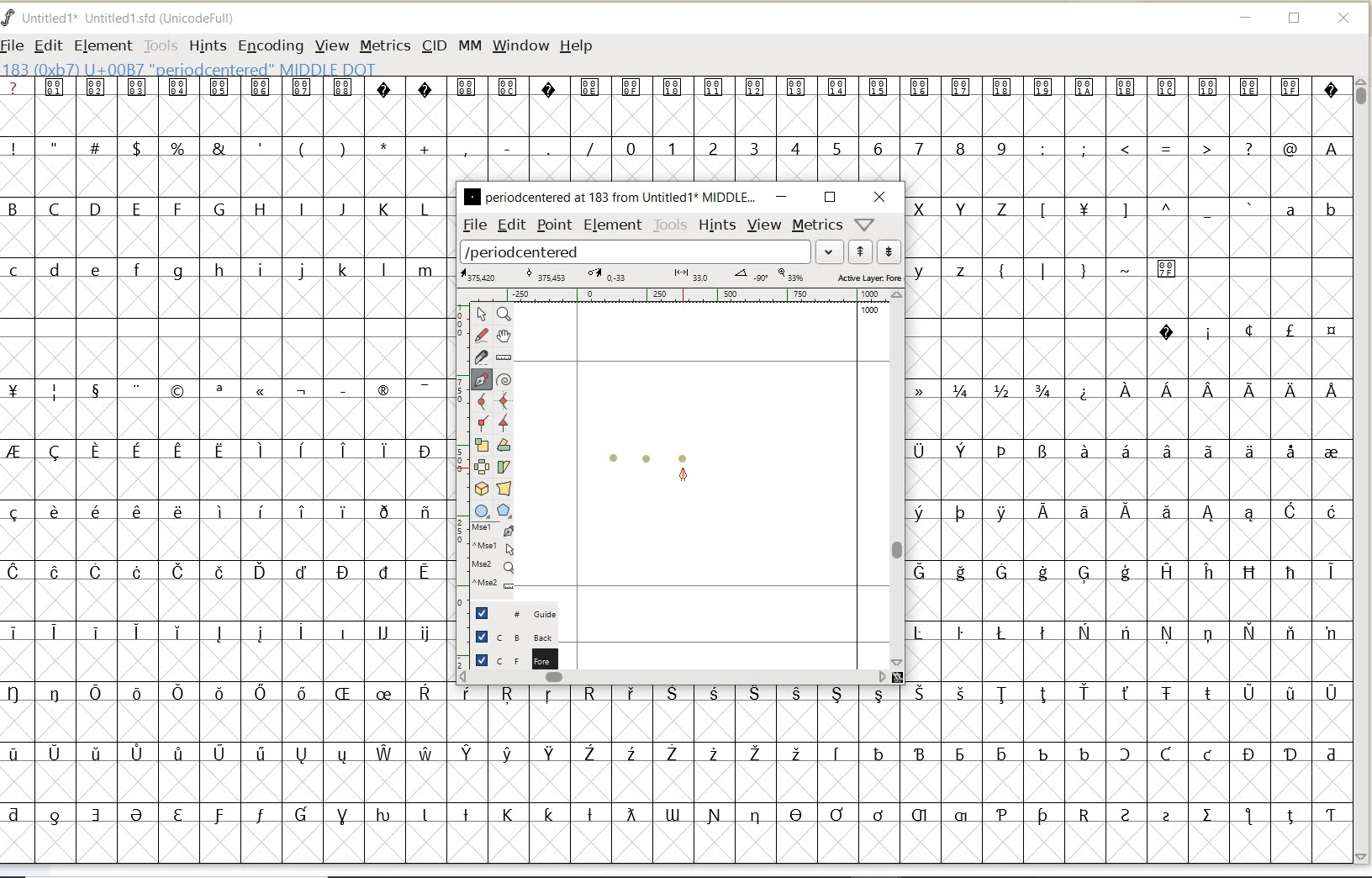  I want to click on lowercase letters, so click(224, 271).